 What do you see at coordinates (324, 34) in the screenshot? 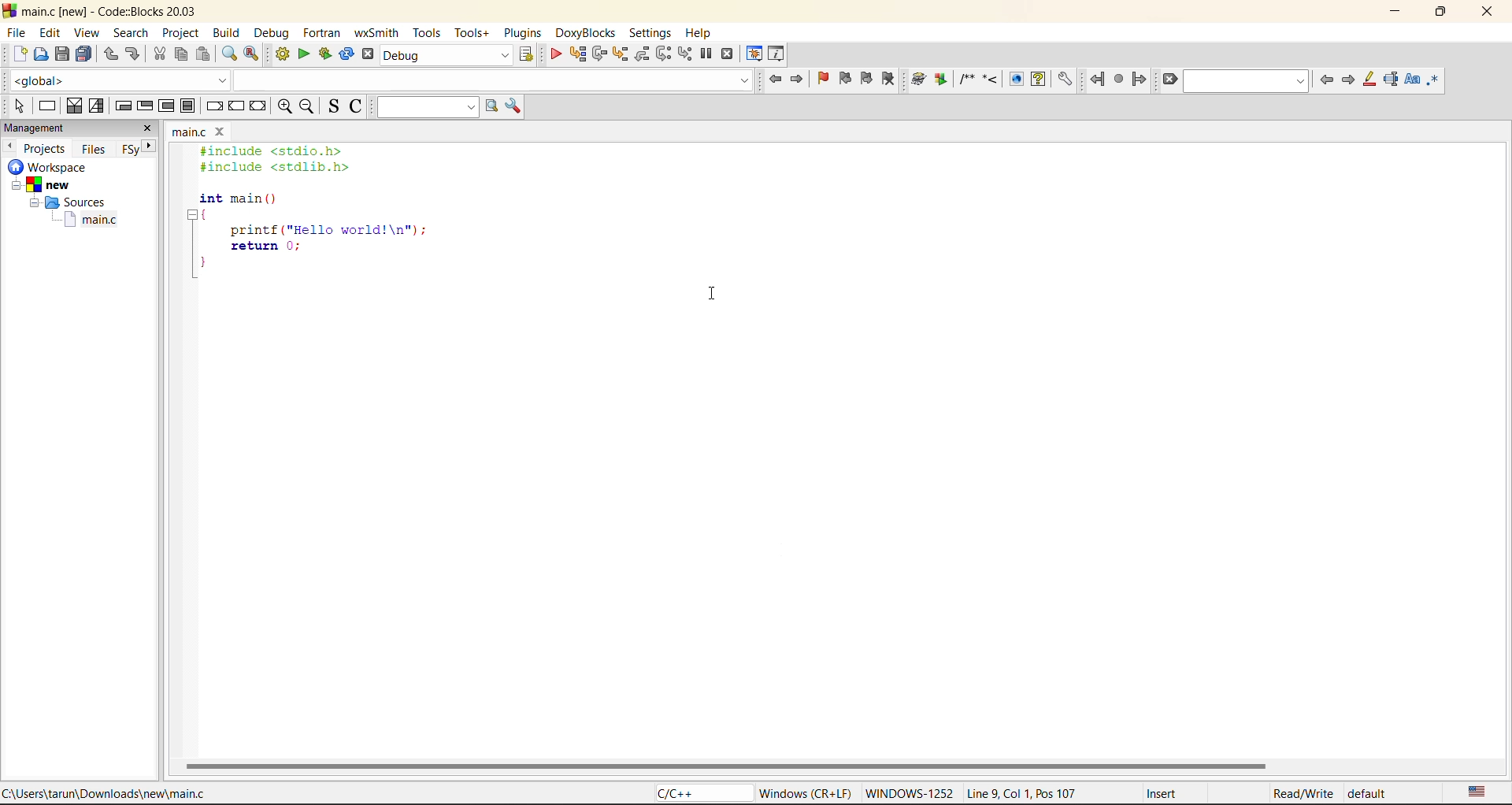
I see `foxtran` at bounding box center [324, 34].